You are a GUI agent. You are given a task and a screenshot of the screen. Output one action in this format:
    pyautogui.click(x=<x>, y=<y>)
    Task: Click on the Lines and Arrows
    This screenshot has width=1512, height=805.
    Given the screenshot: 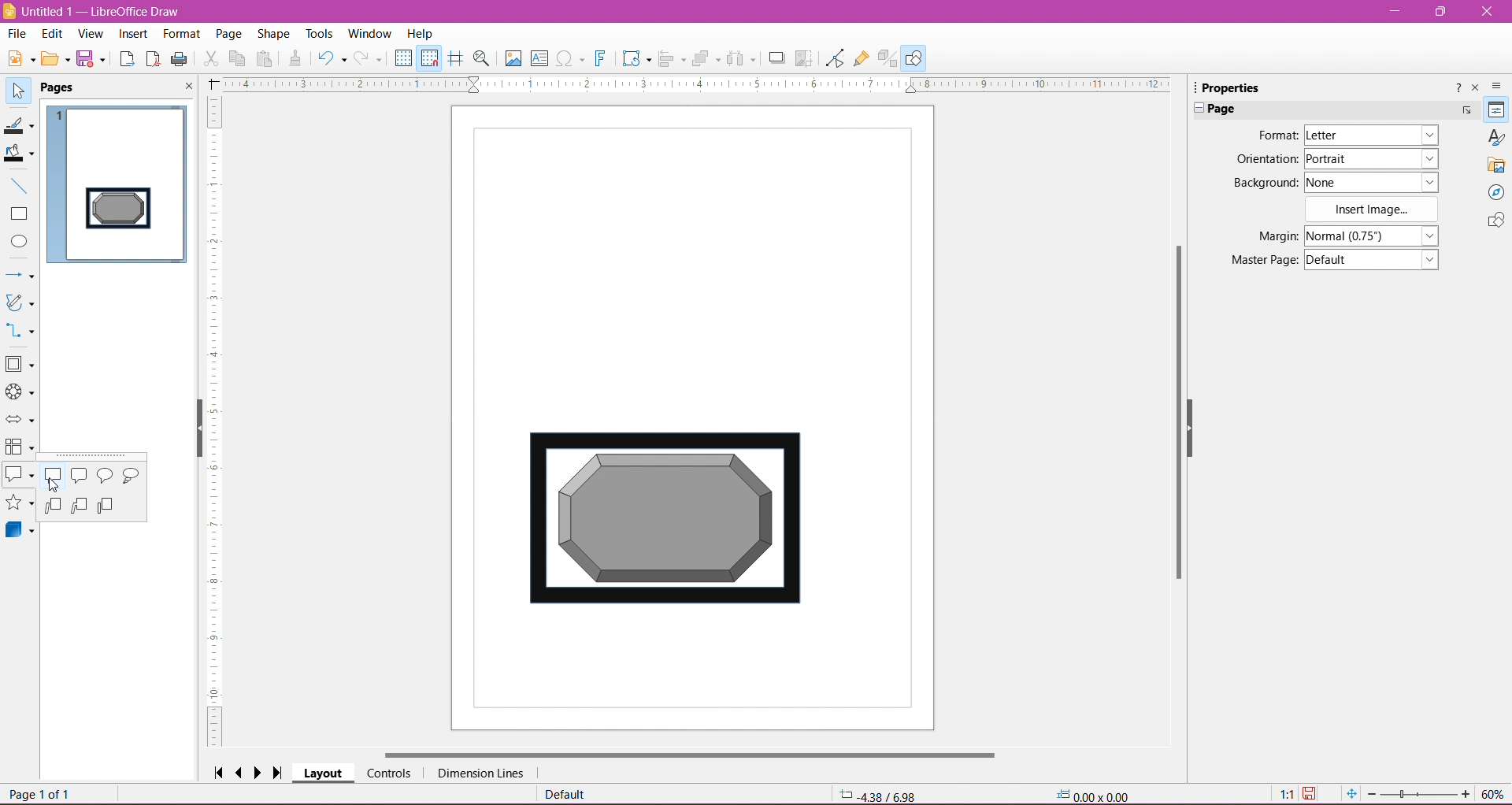 What is the action you would take?
    pyautogui.click(x=20, y=275)
    